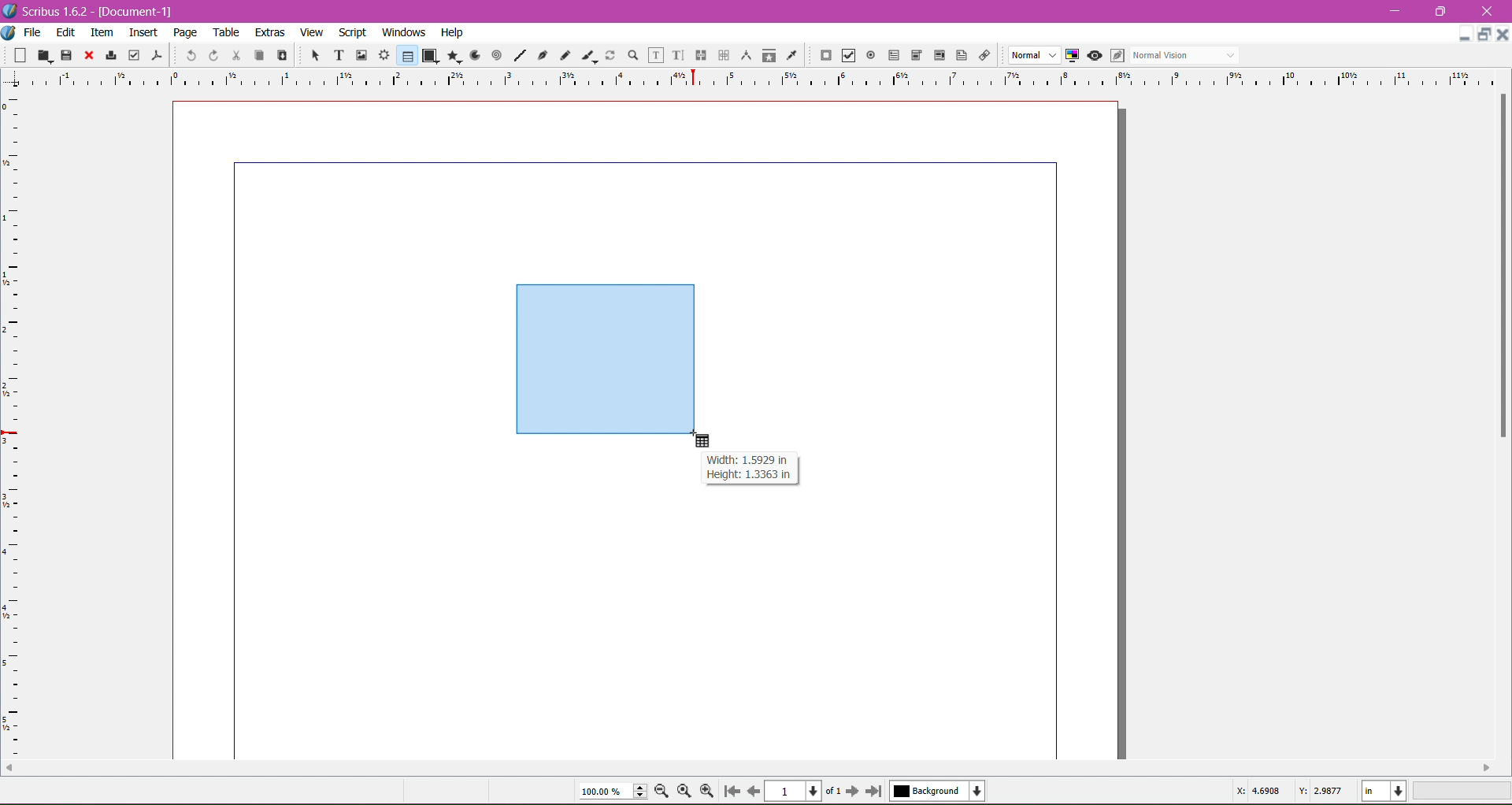 The width and height of the screenshot is (1512, 805). What do you see at coordinates (1501, 34) in the screenshot?
I see `close` at bounding box center [1501, 34].